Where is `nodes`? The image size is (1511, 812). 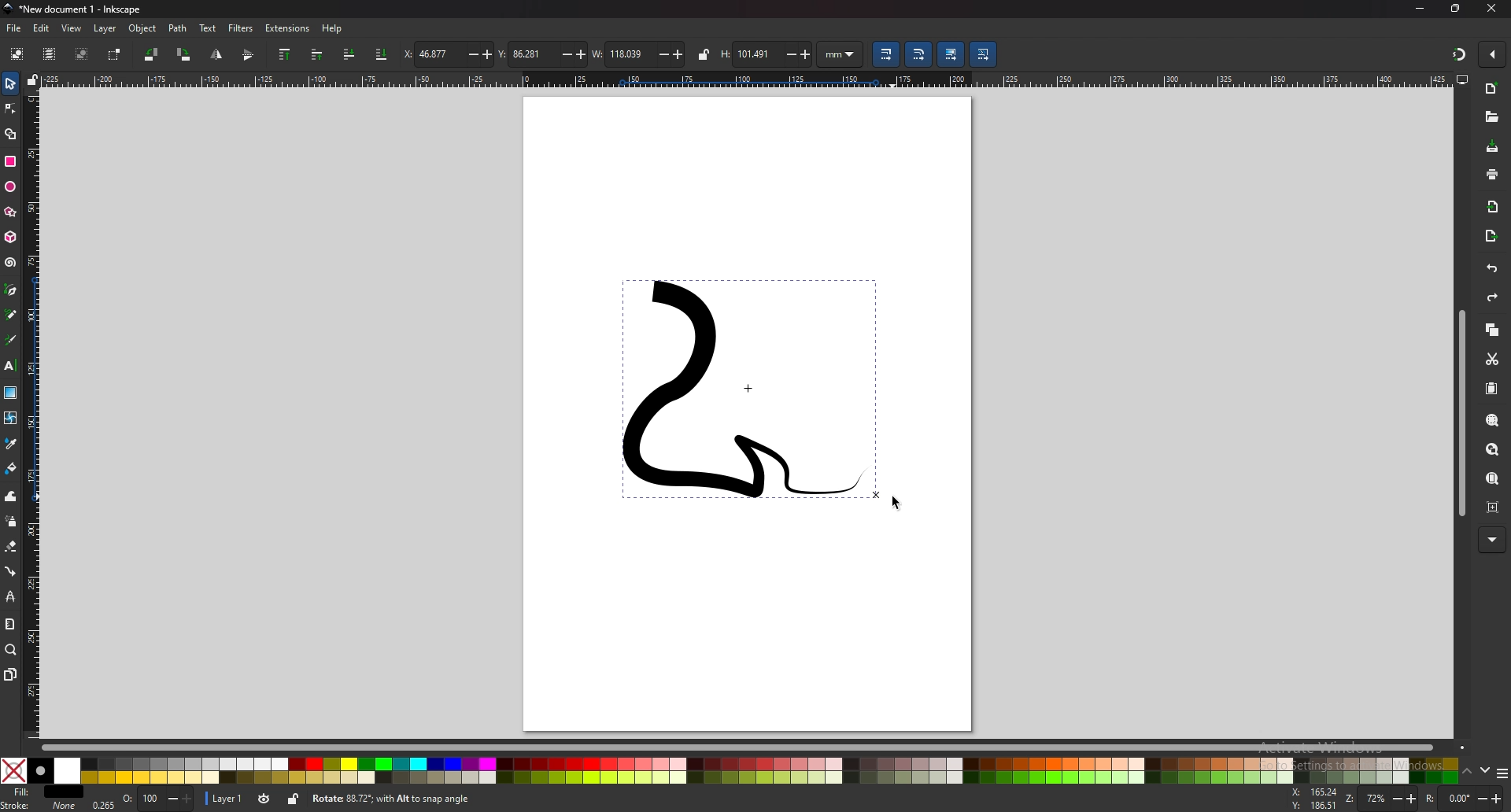
nodes is located at coordinates (11, 108).